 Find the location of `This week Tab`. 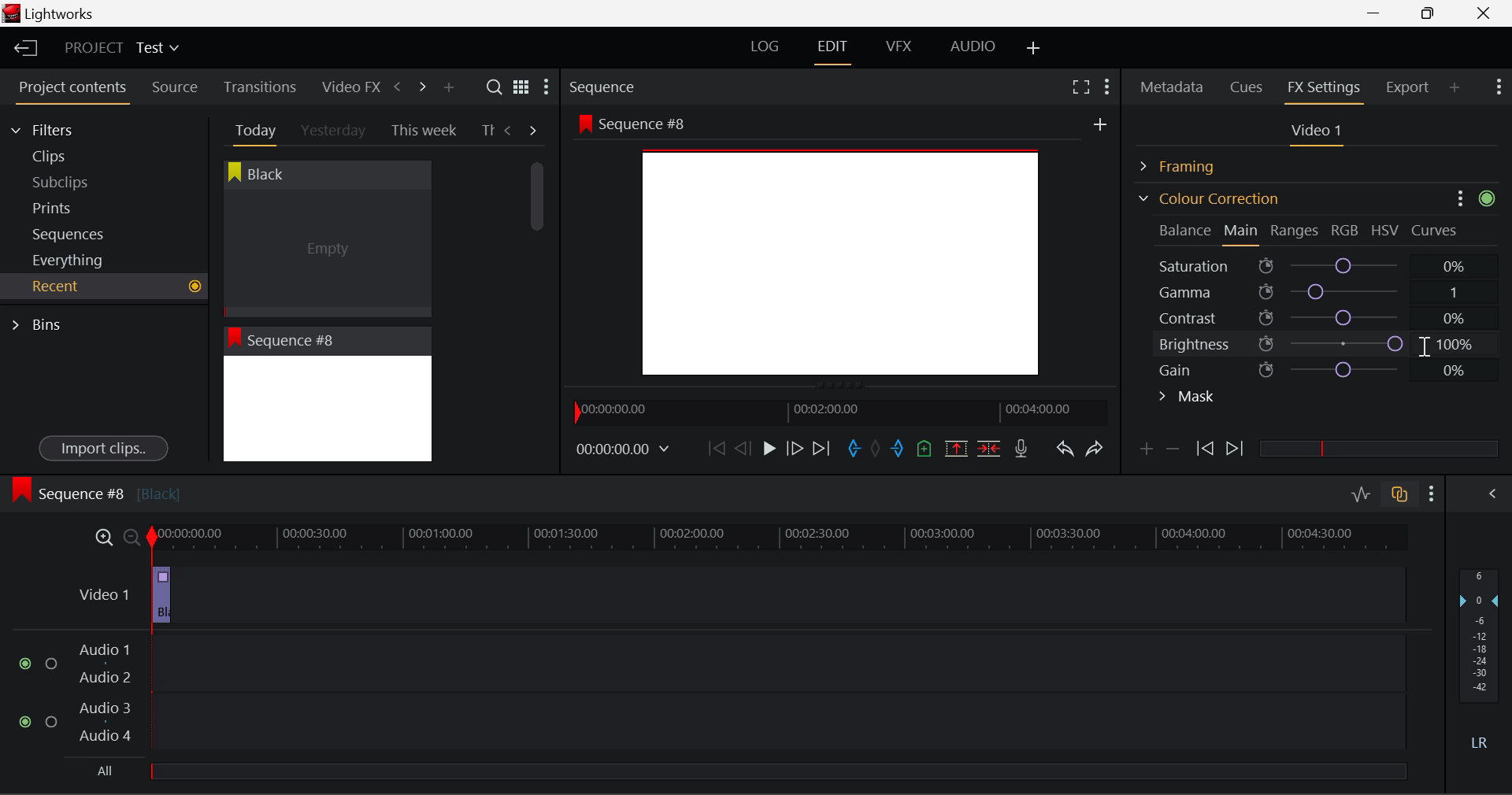

This week Tab is located at coordinates (422, 131).